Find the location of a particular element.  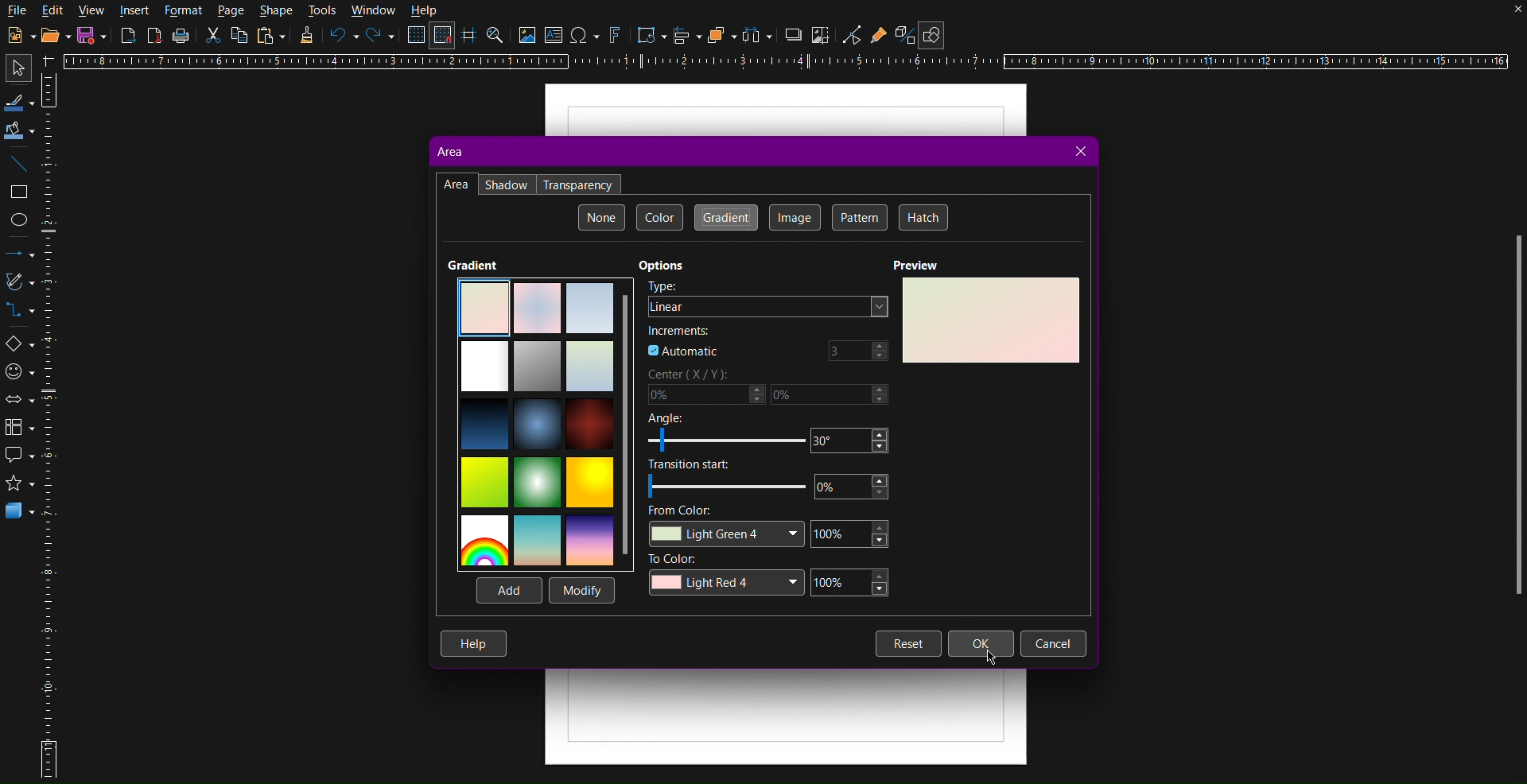

Cancel is located at coordinates (1053, 642).